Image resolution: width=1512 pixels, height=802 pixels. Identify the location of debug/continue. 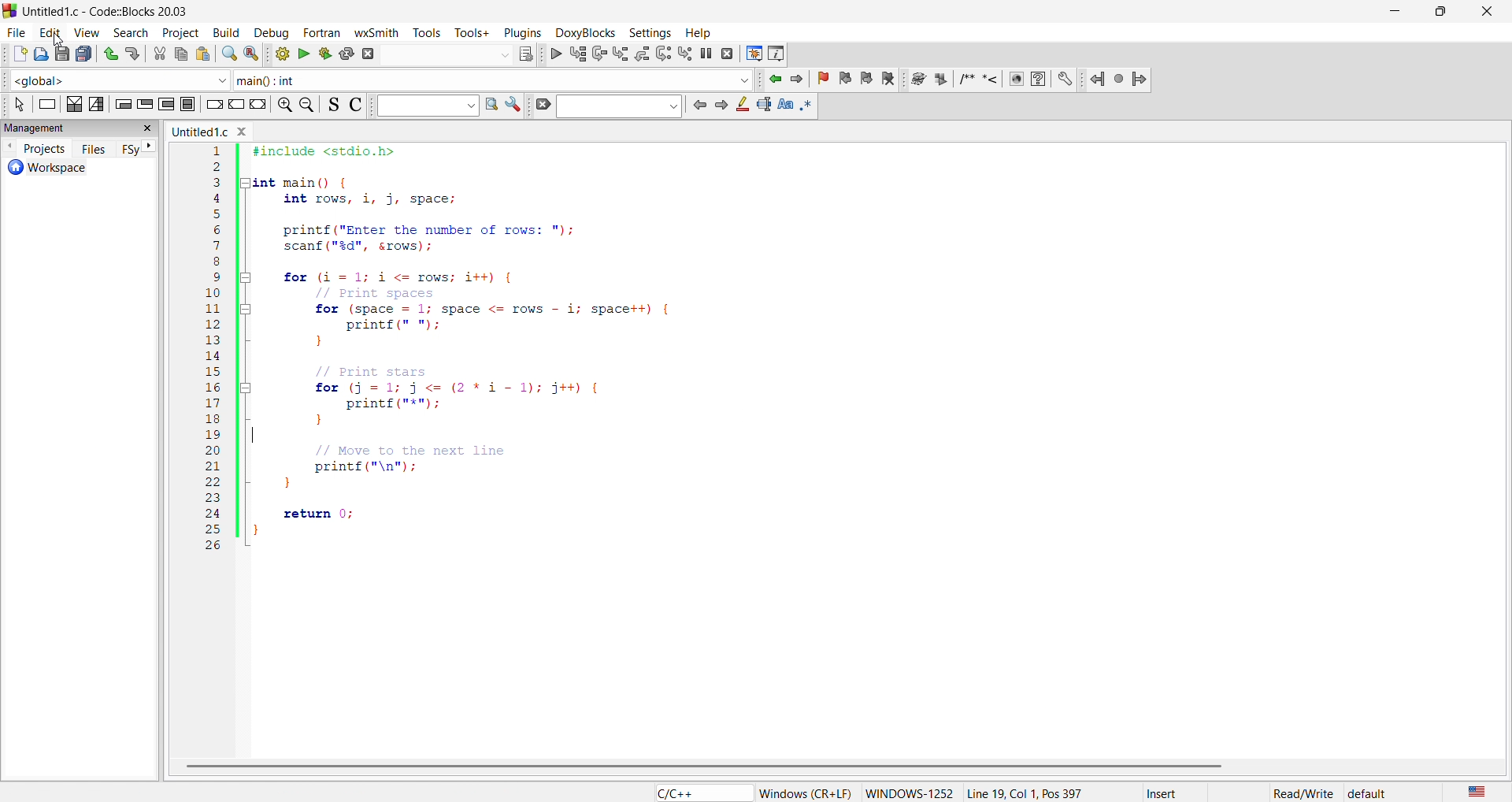
(554, 54).